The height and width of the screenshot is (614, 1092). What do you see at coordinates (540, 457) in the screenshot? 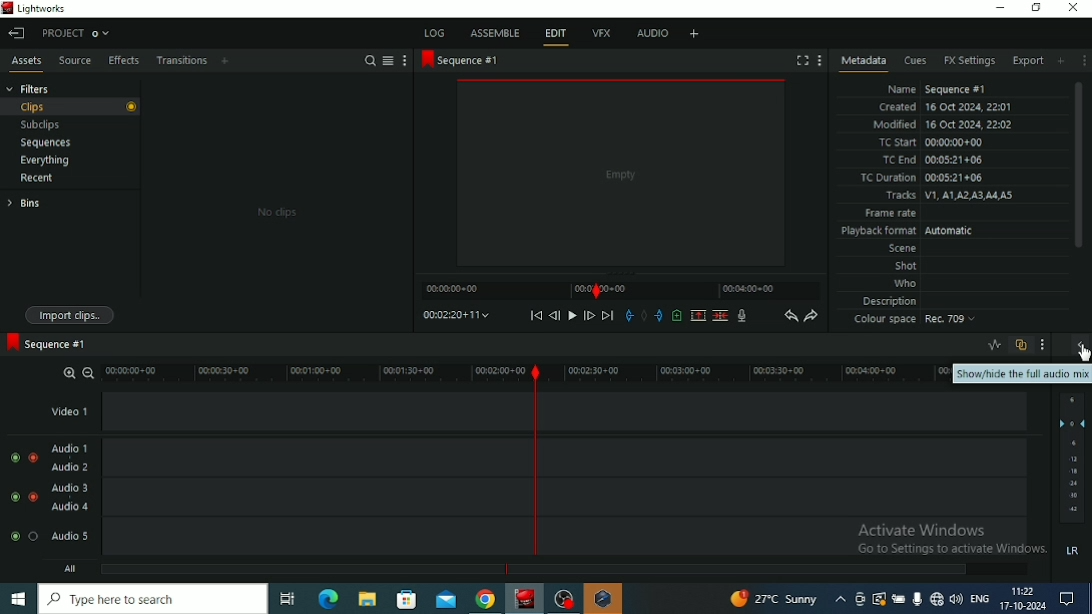
I see `Audio 1, Audio 2` at bounding box center [540, 457].